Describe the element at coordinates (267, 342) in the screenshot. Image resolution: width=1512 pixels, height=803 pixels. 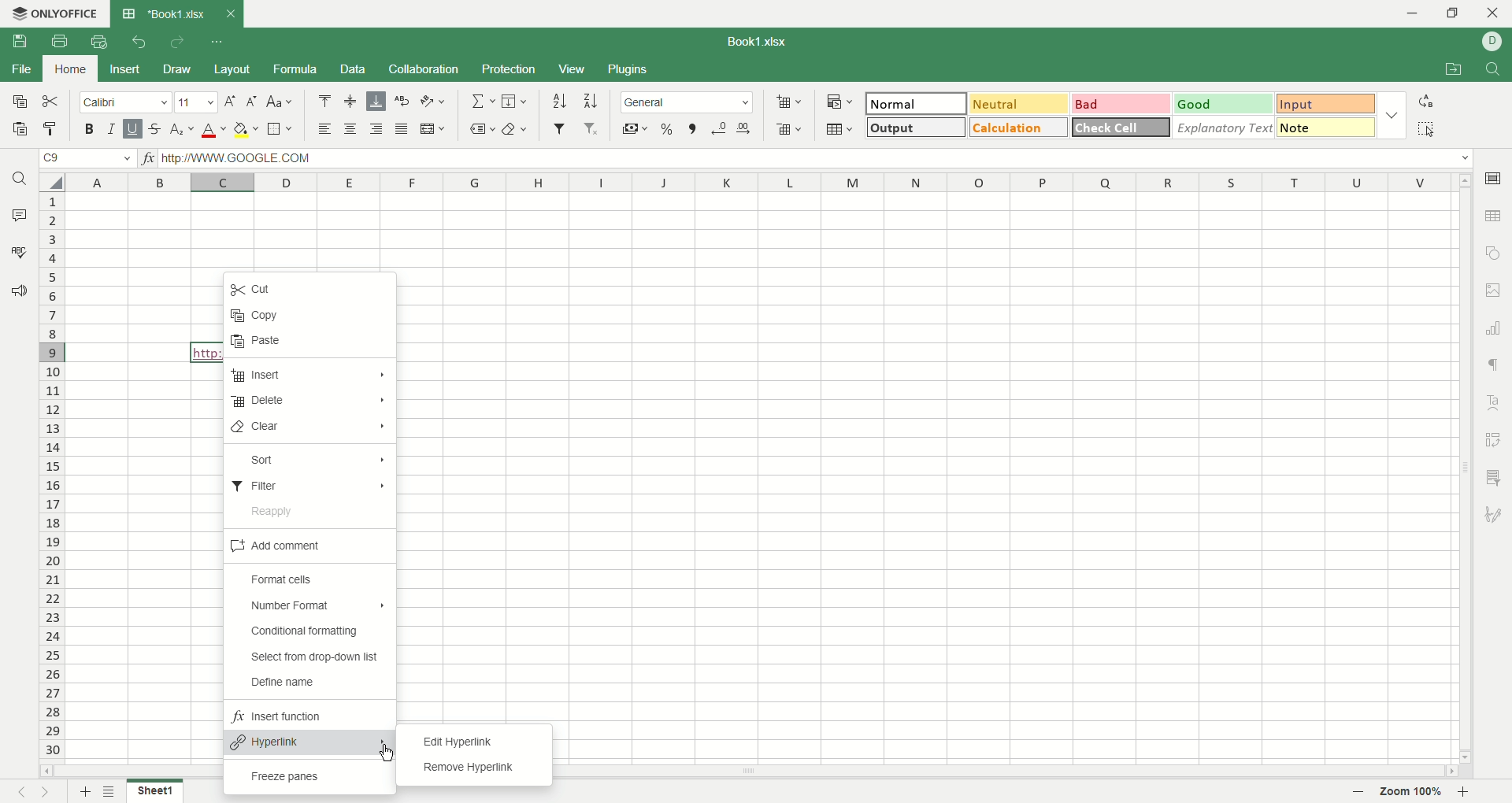
I see `paste` at that location.